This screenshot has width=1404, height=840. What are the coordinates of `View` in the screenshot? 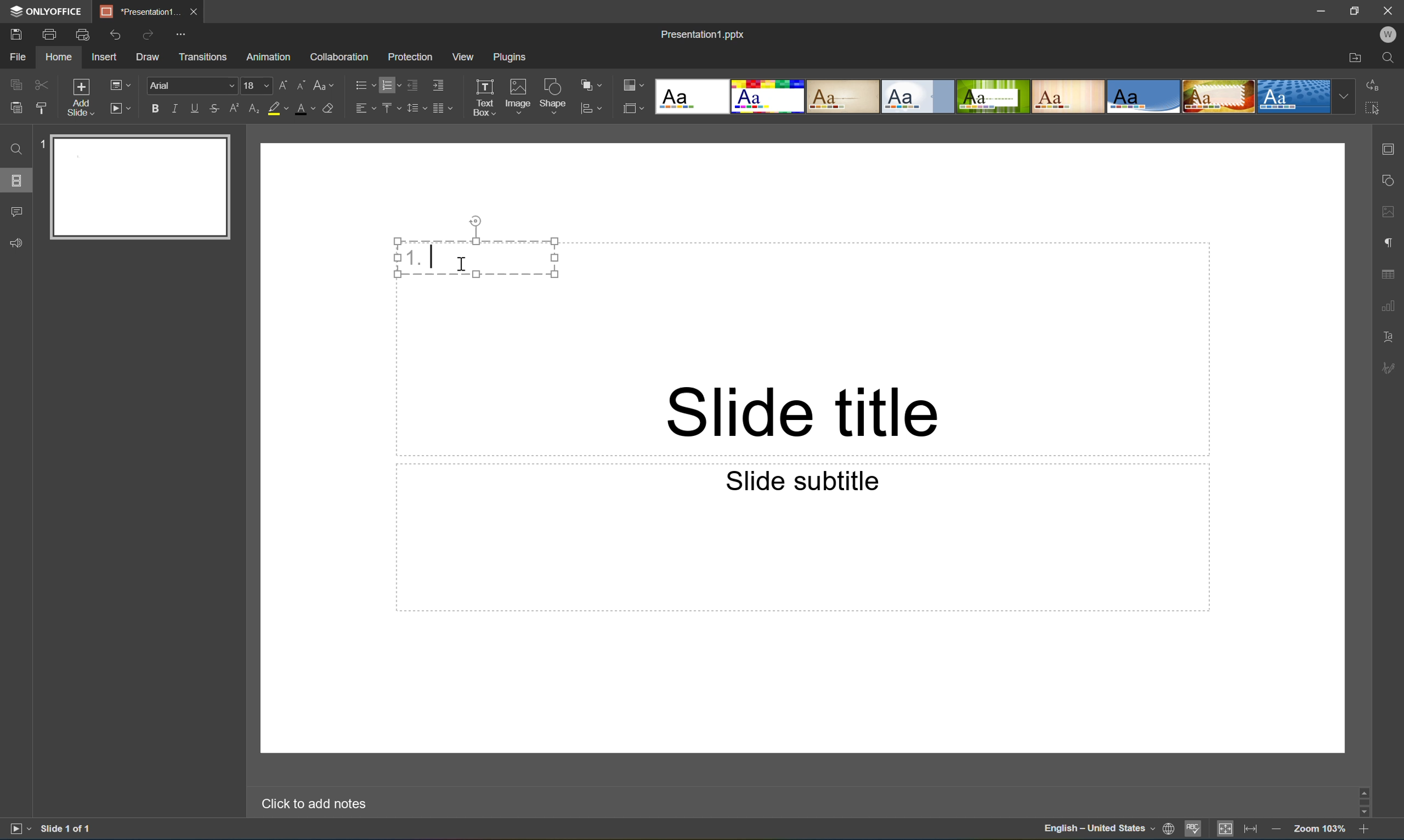 It's located at (464, 57).